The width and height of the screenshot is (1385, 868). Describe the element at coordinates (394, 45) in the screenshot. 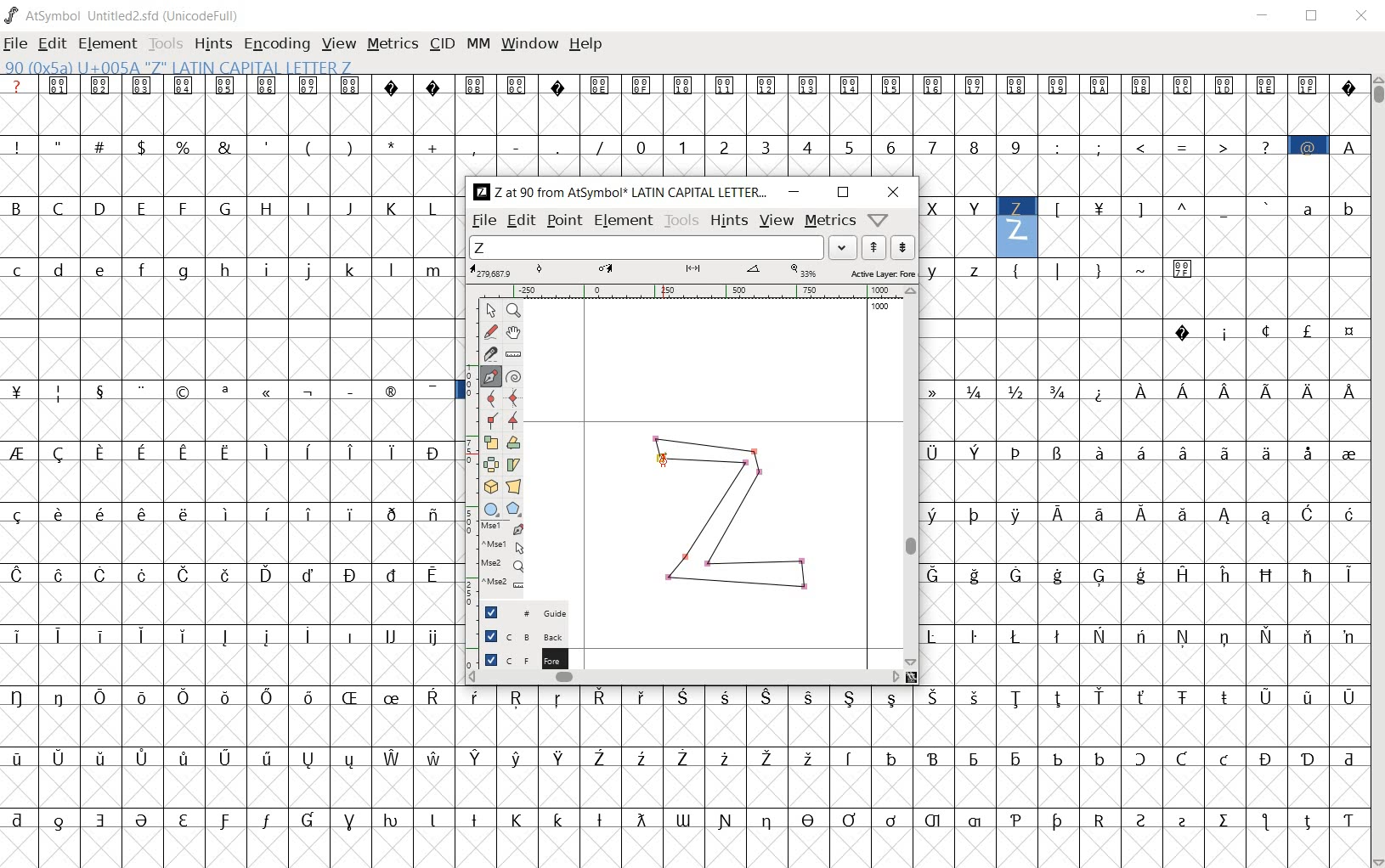

I see `metrics` at that location.